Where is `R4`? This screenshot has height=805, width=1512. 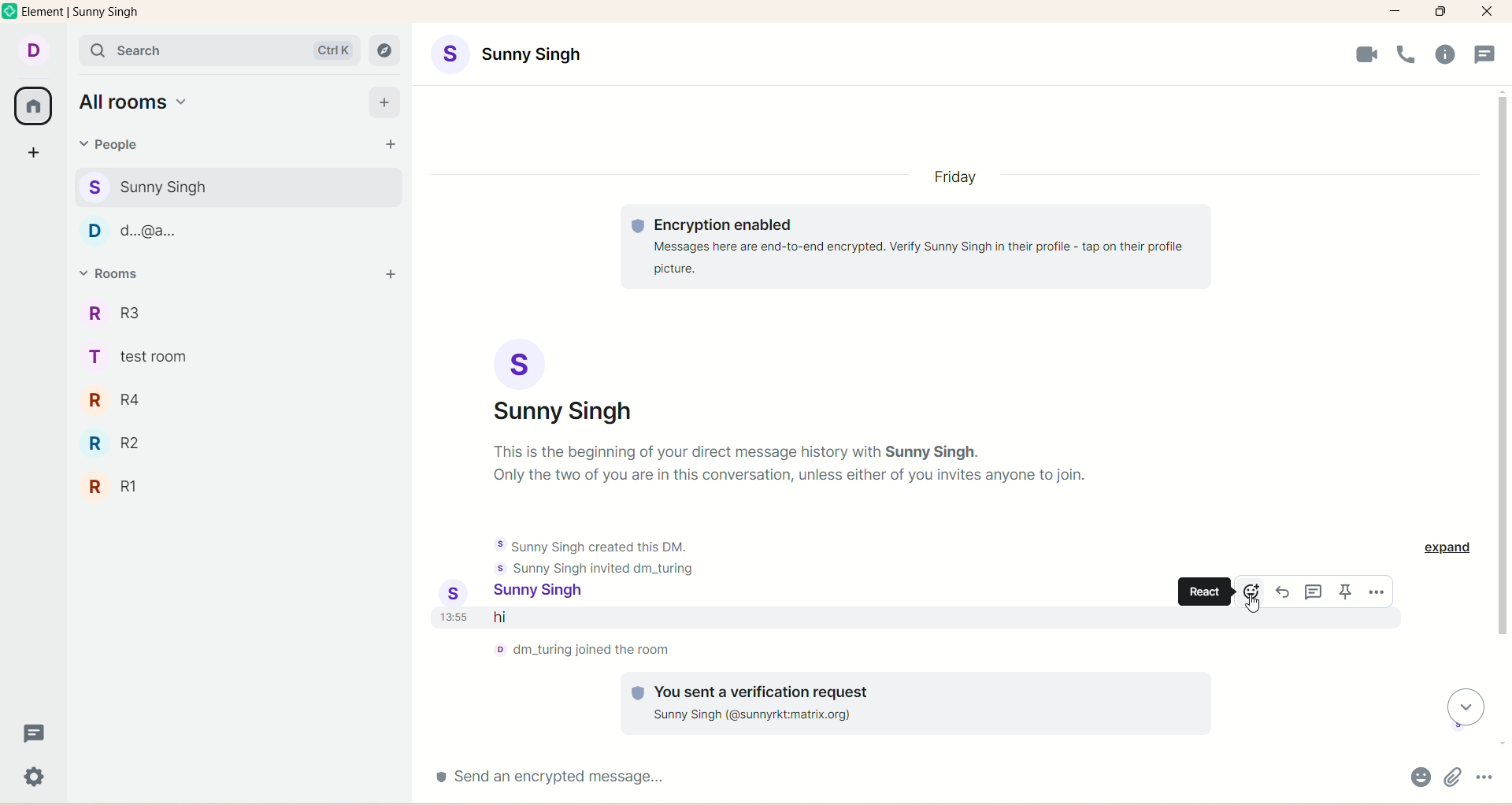 R4 is located at coordinates (129, 400).